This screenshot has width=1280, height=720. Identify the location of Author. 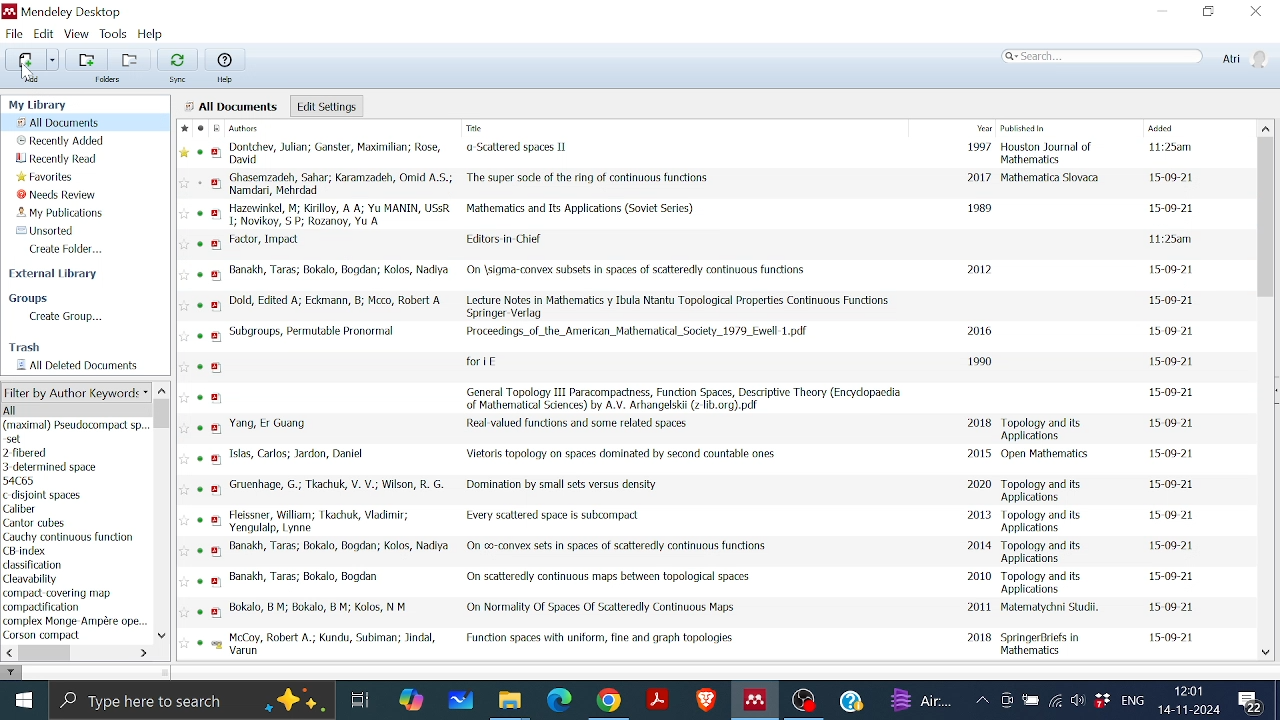
(330, 644).